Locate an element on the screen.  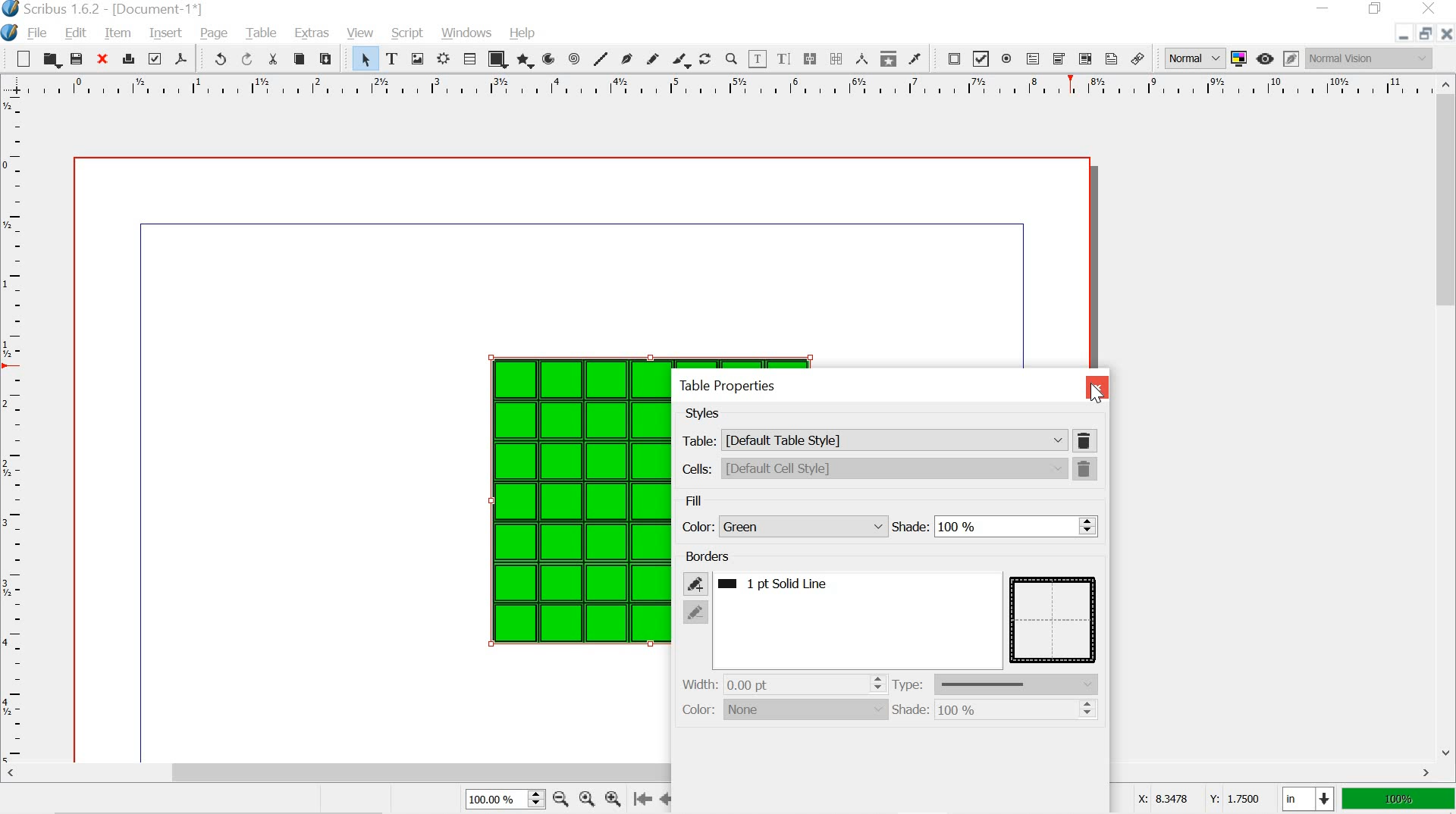
redo is located at coordinates (246, 58).